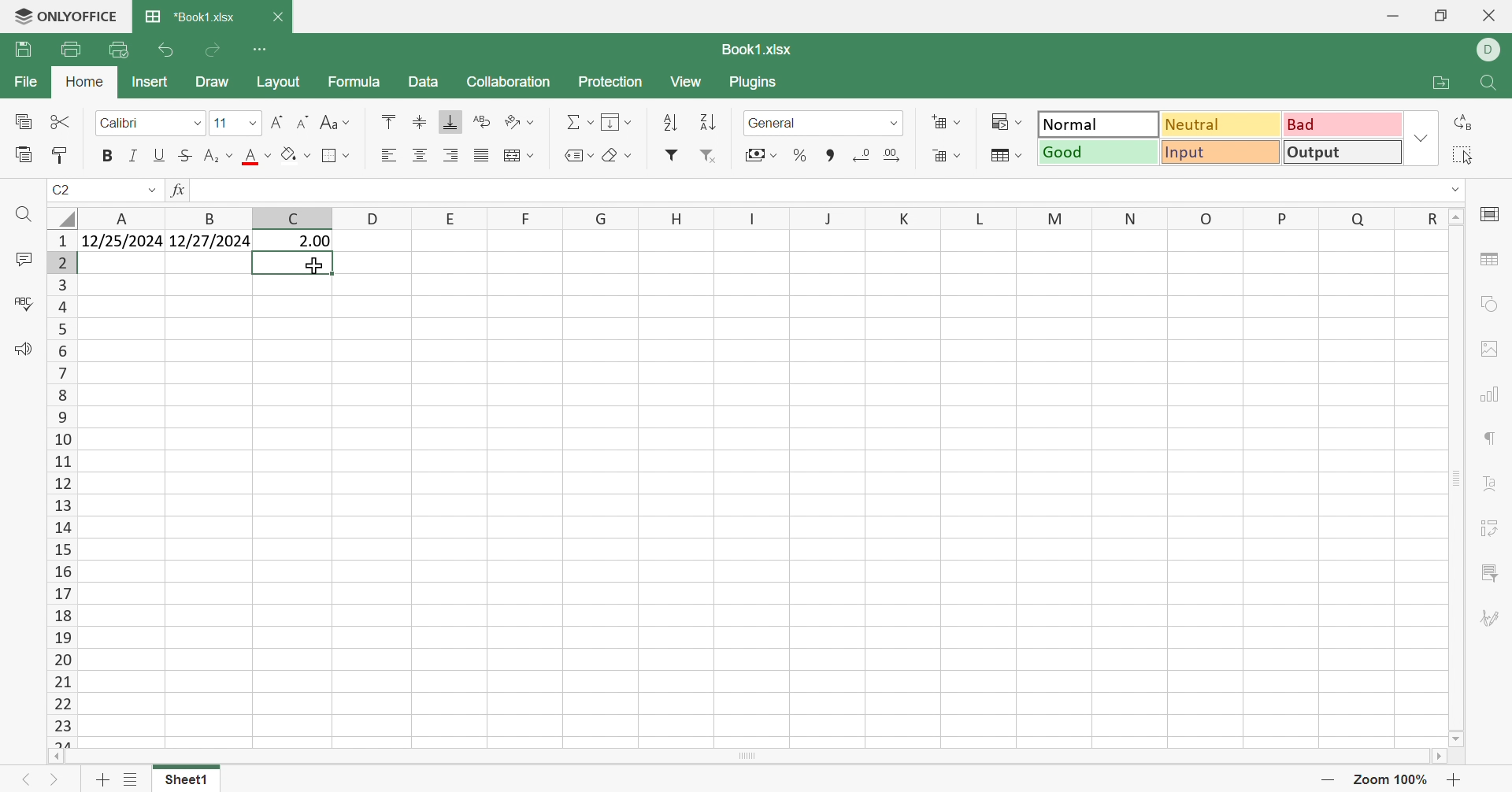 The width and height of the screenshot is (1512, 792). Describe the element at coordinates (616, 121) in the screenshot. I see `Fill` at that location.